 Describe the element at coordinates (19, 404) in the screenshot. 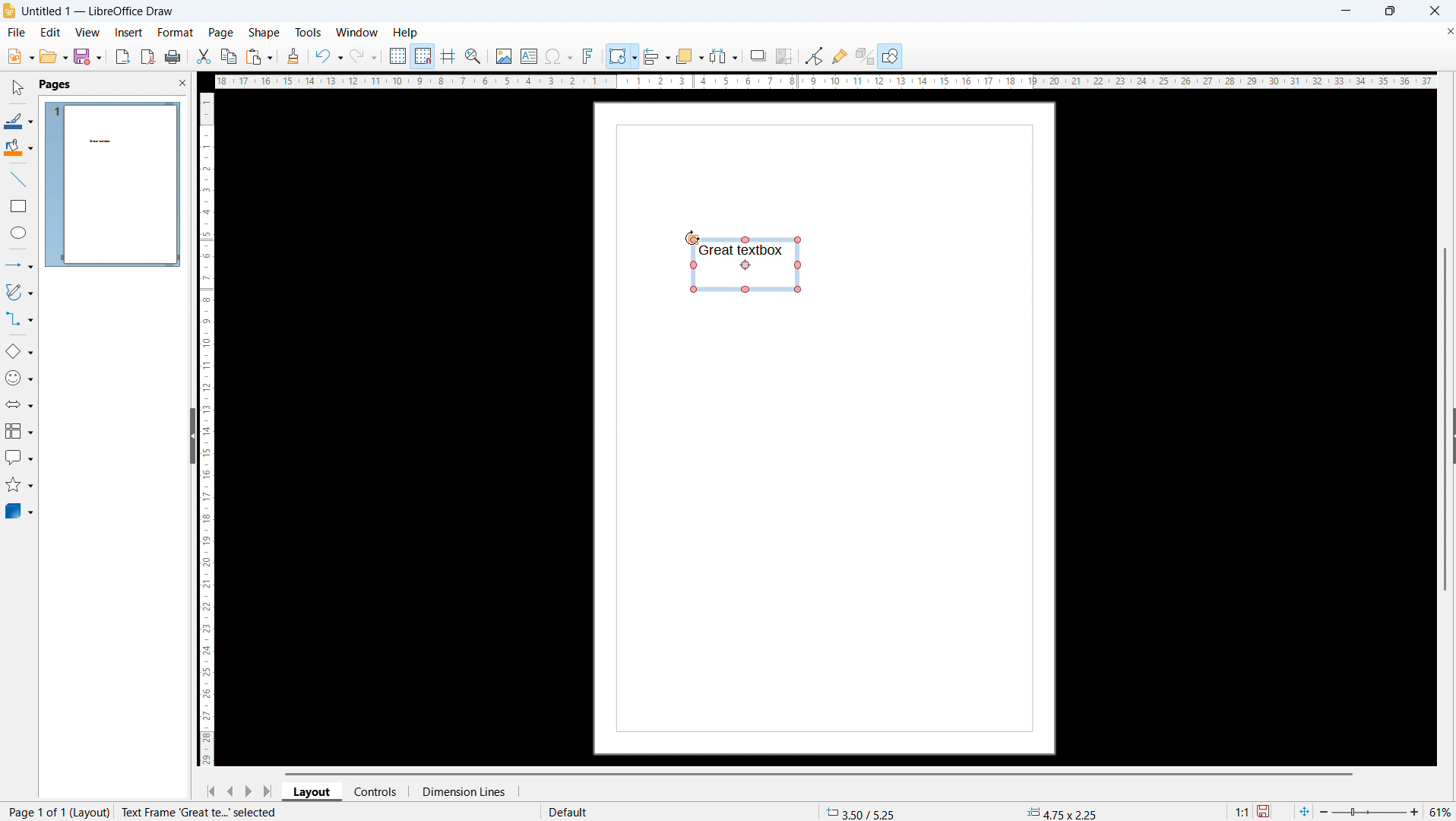

I see `block arrows` at that location.